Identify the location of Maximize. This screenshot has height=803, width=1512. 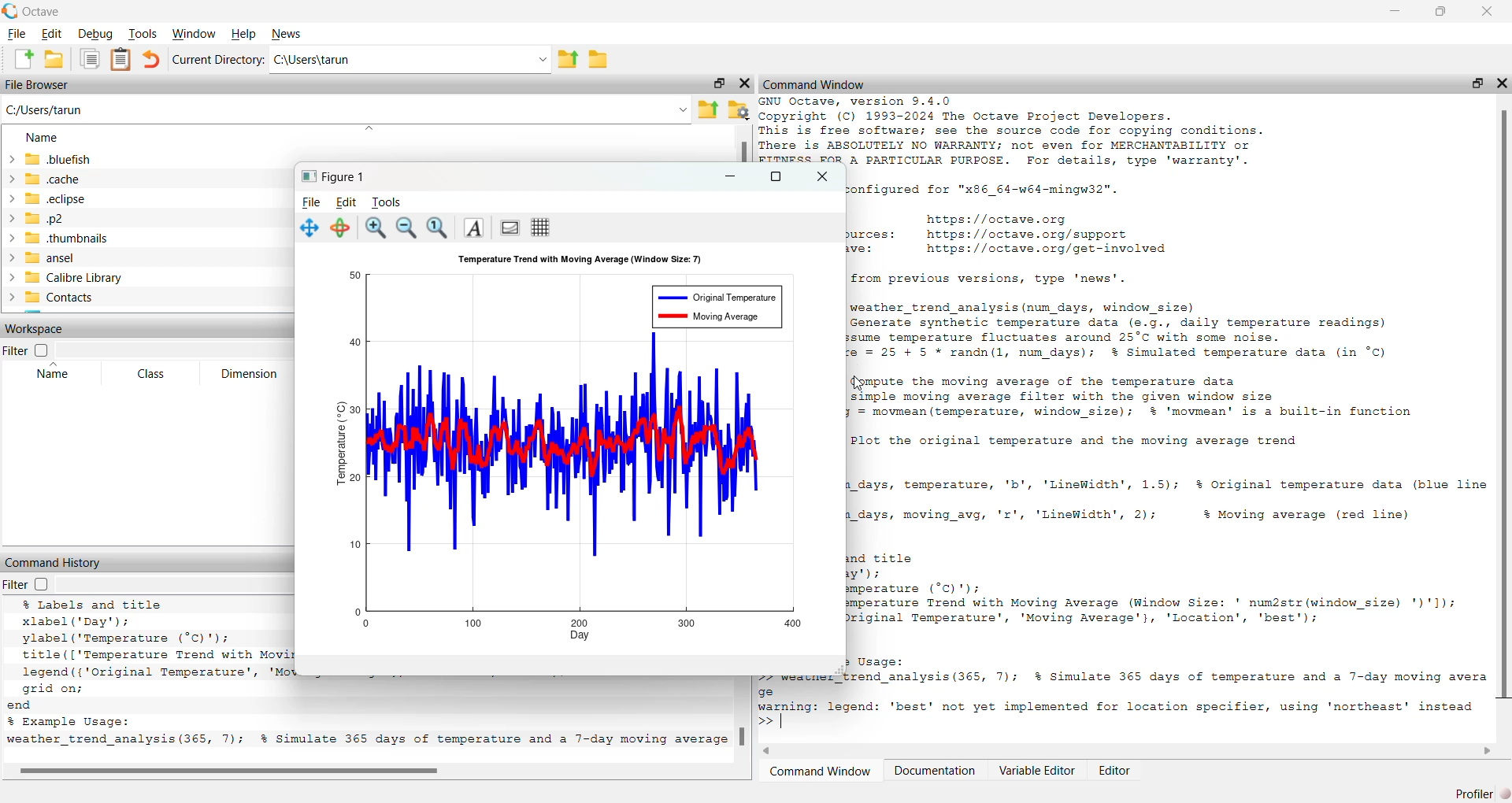
(774, 178).